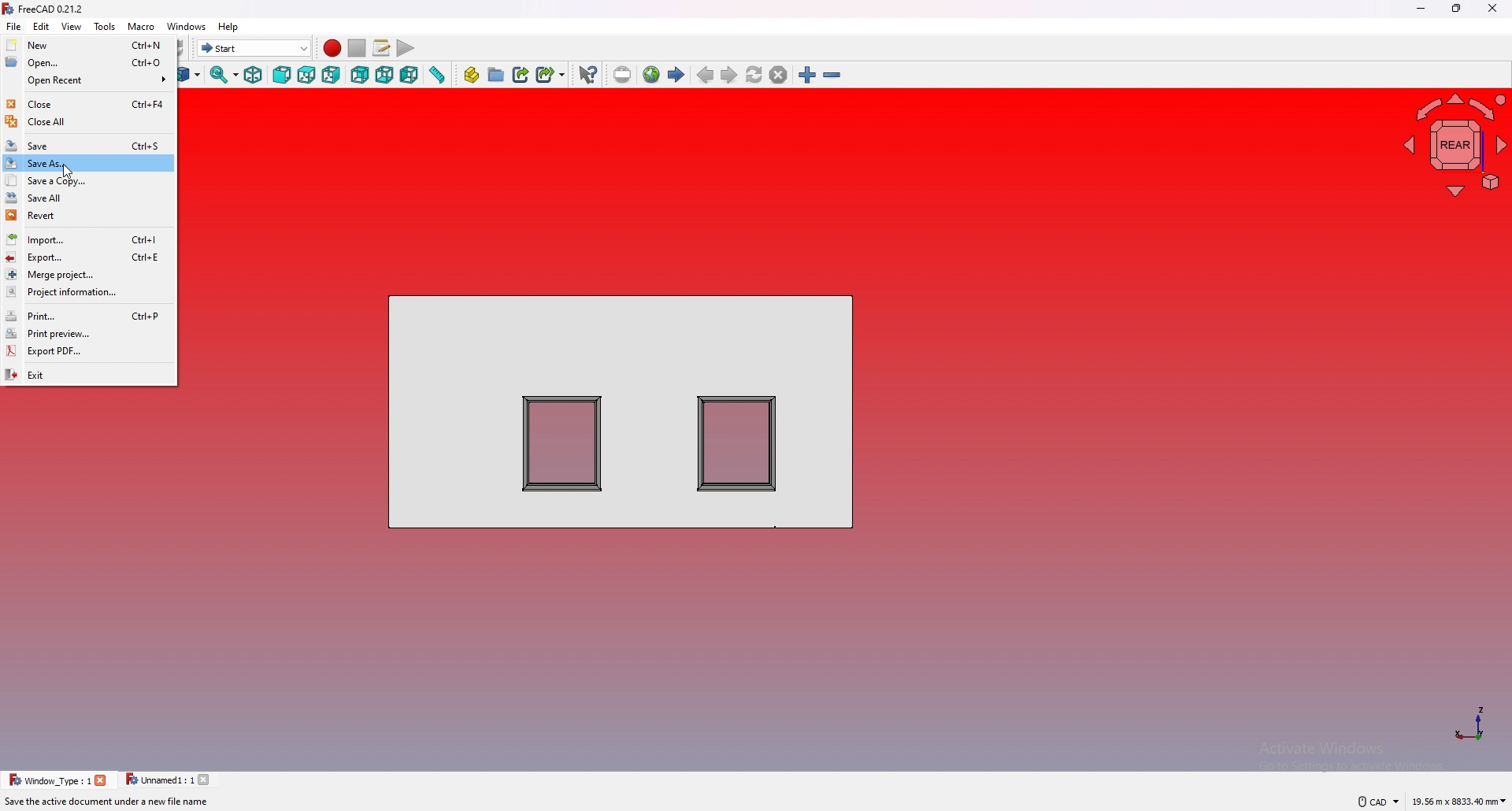 The height and width of the screenshot is (811, 1512). What do you see at coordinates (254, 48) in the screenshot?
I see `switch between workbenches` at bounding box center [254, 48].